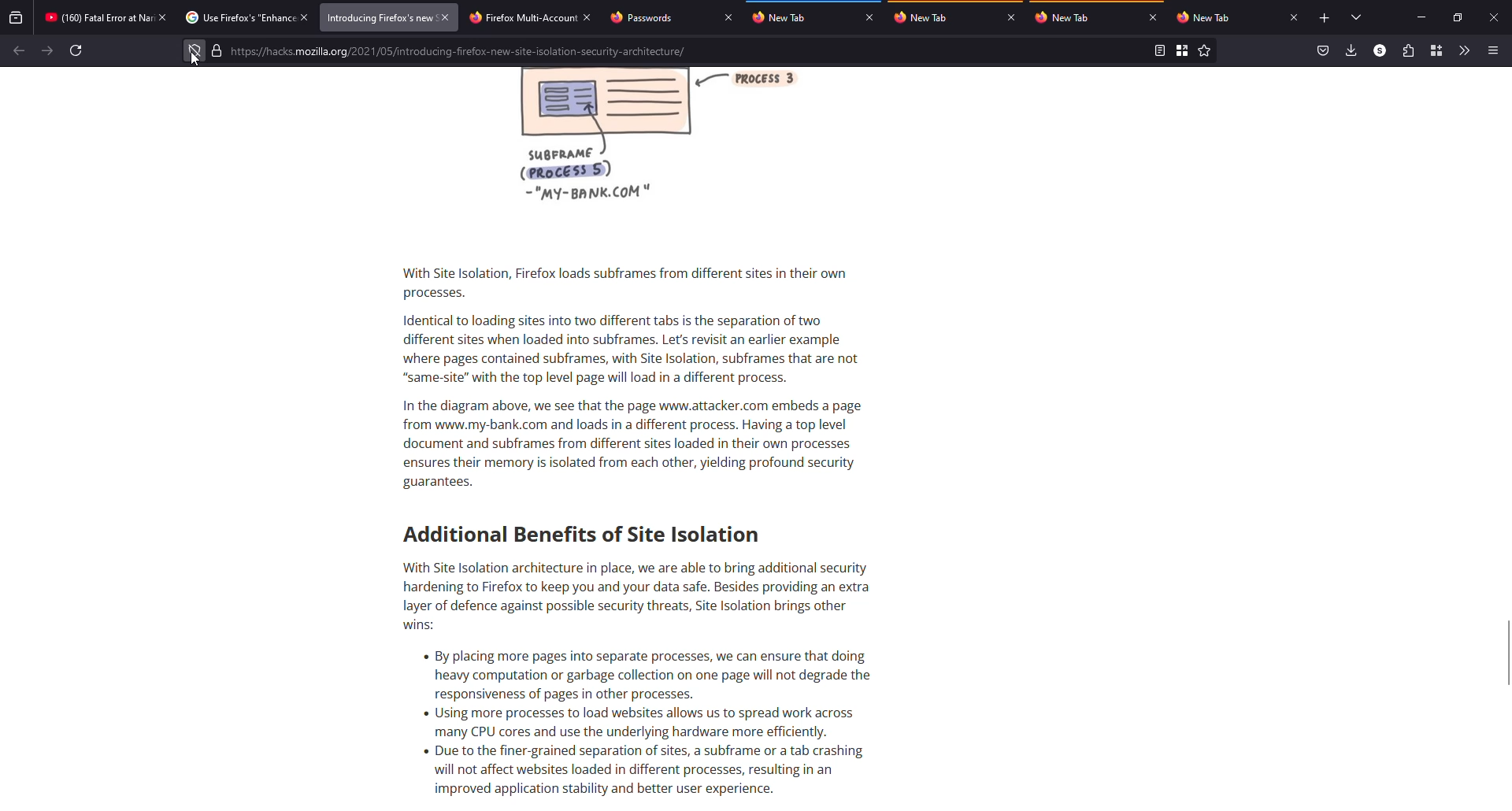 This screenshot has width=1512, height=811. What do you see at coordinates (1493, 17) in the screenshot?
I see `close` at bounding box center [1493, 17].